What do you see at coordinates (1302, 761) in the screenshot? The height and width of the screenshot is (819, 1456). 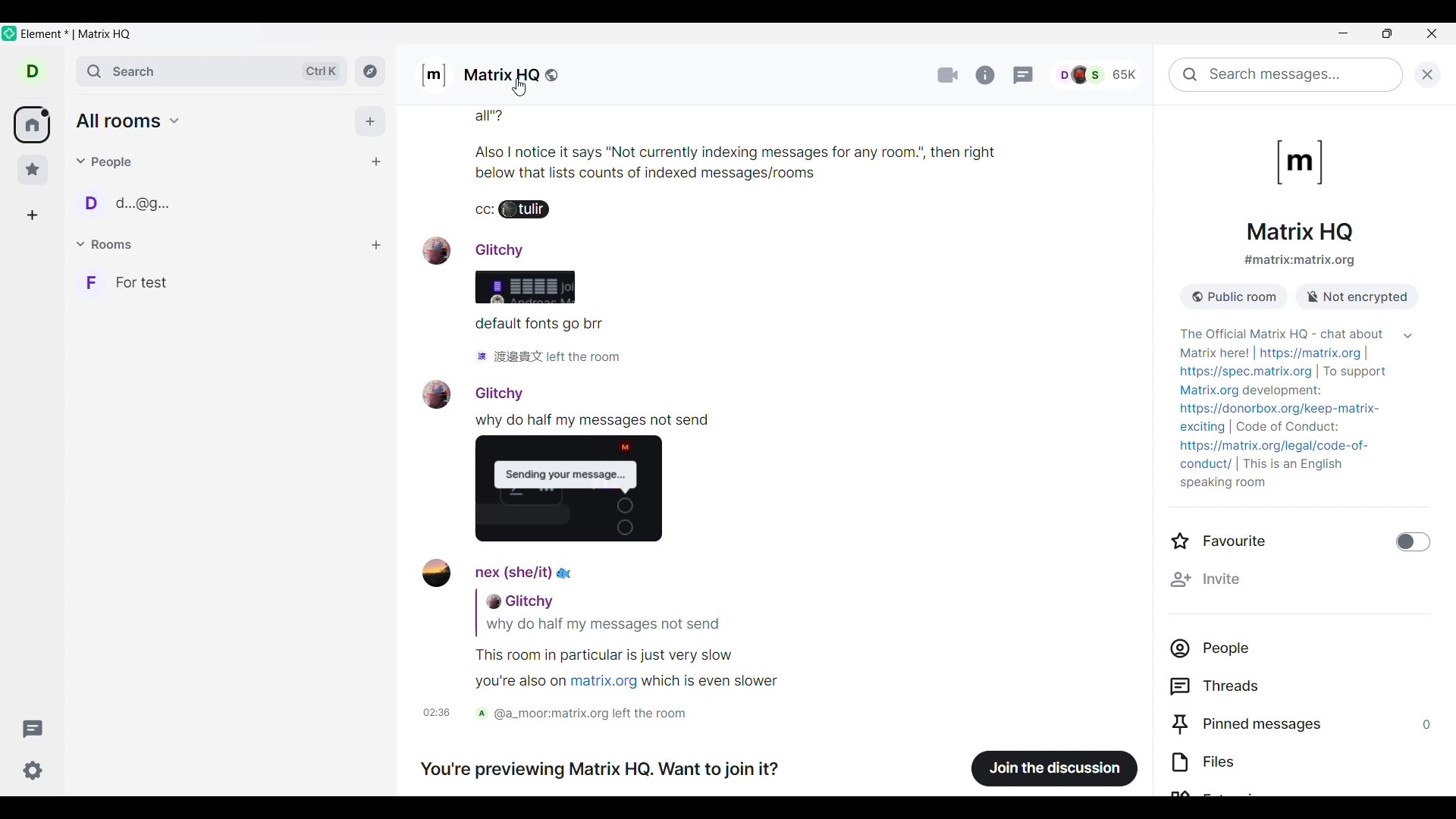 I see `Files` at bounding box center [1302, 761].